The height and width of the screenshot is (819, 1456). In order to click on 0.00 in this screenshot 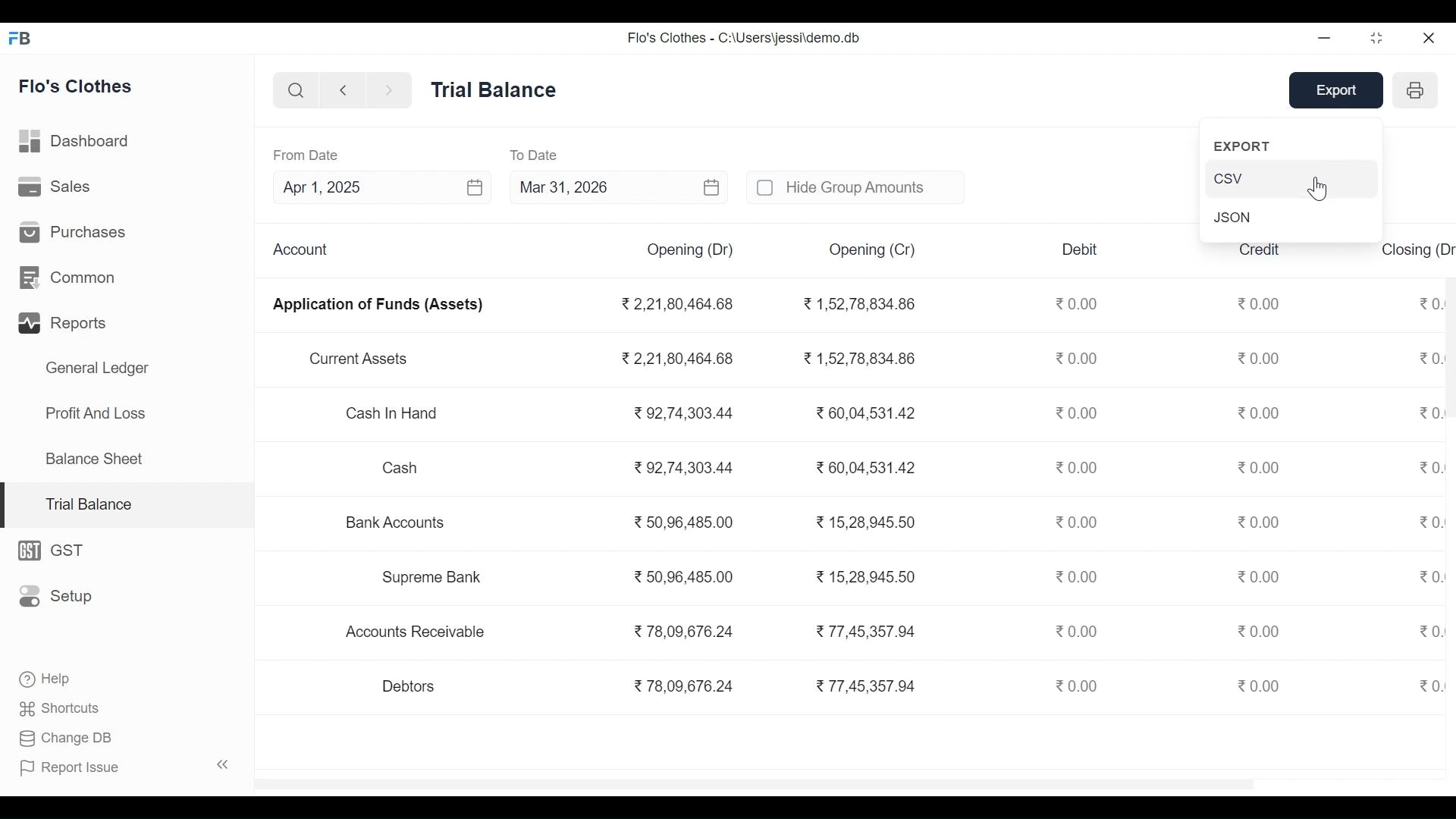, I will do `click(1259, 576)`.